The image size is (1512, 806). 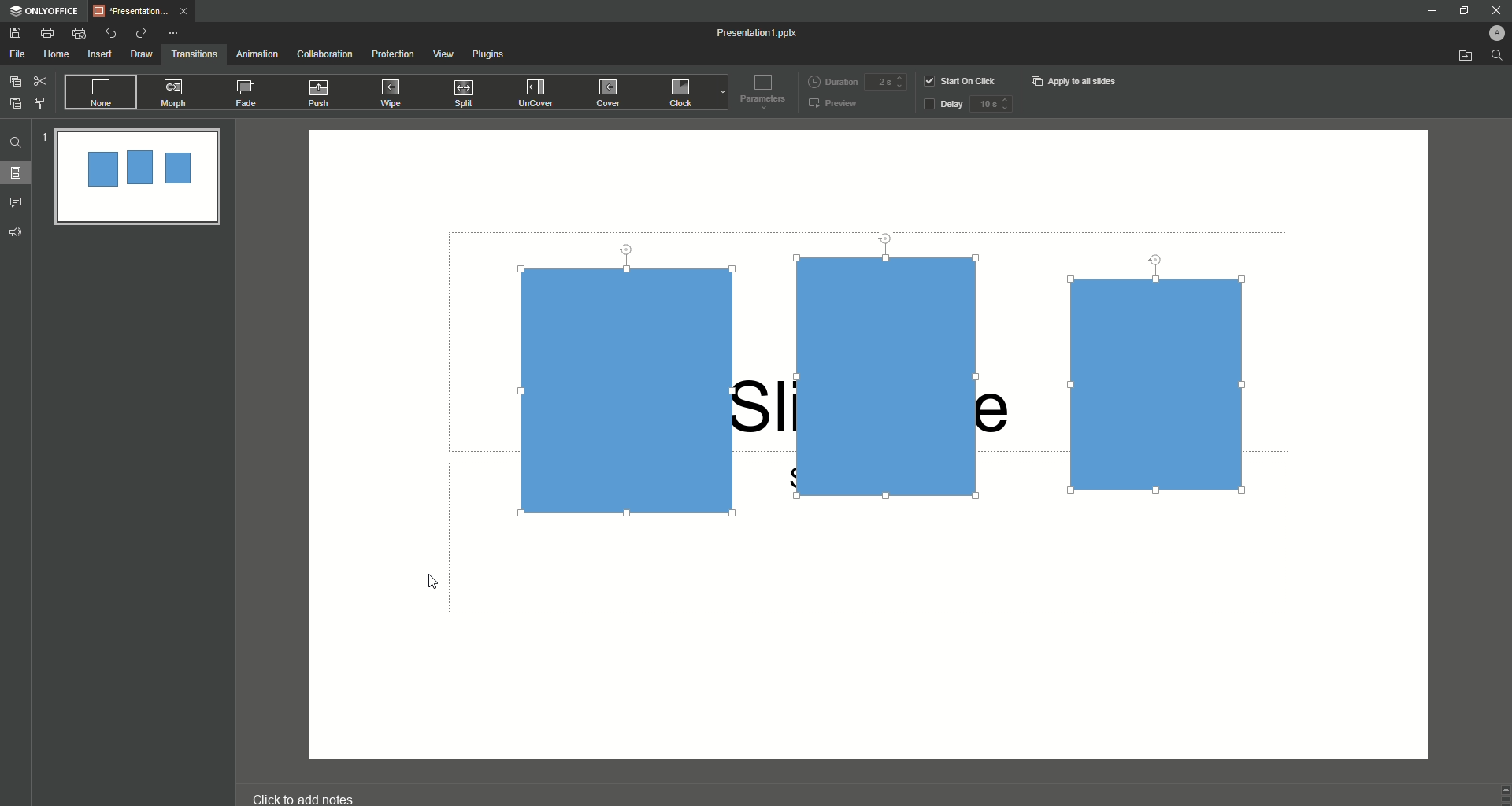 What do you see at coordinates (394, 54) in the screenshot?
I see `Protection` at bounding box center [394, 54].